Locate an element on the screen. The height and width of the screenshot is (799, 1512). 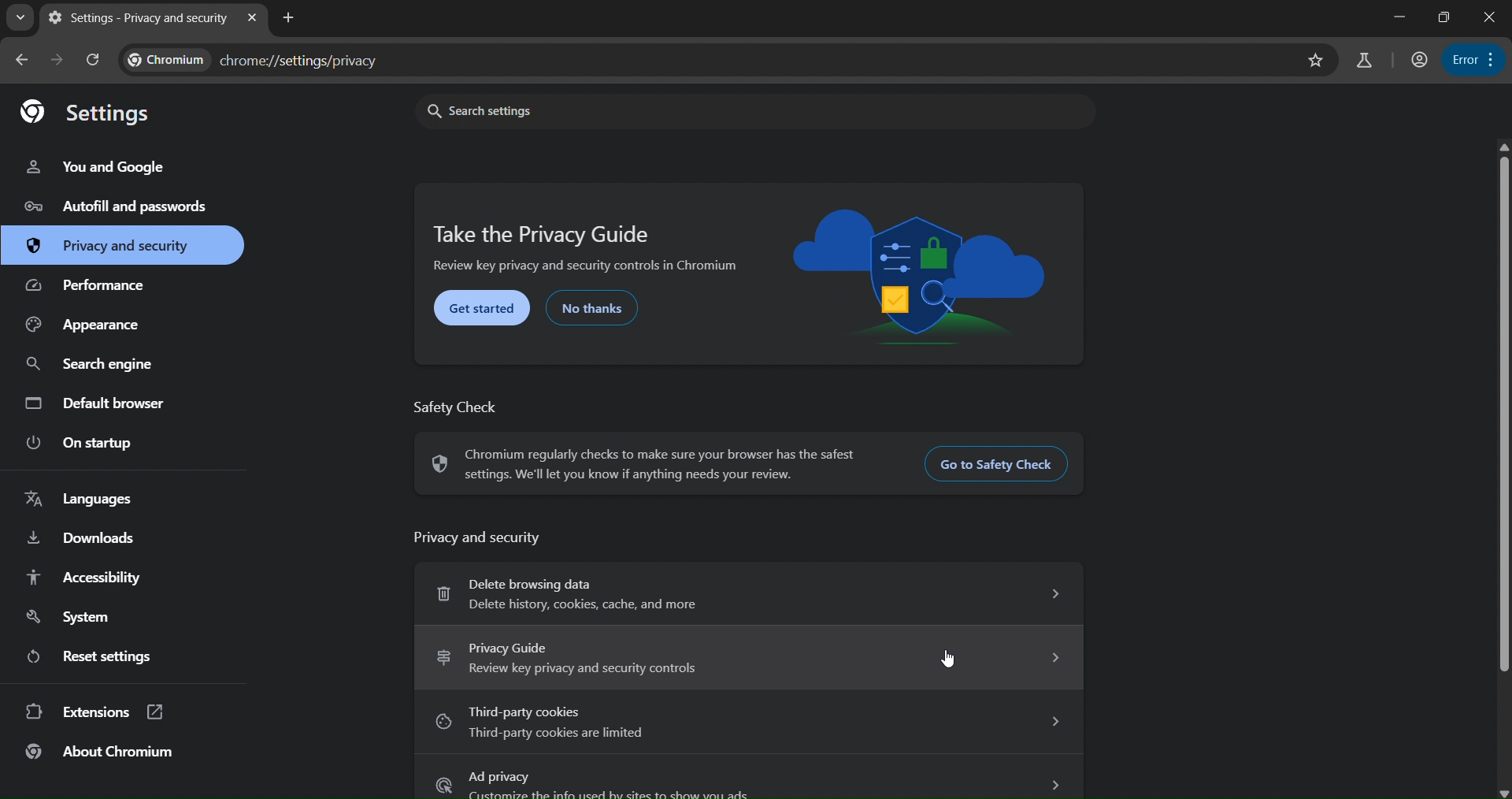
new tab is located at coordinates (290, 19).